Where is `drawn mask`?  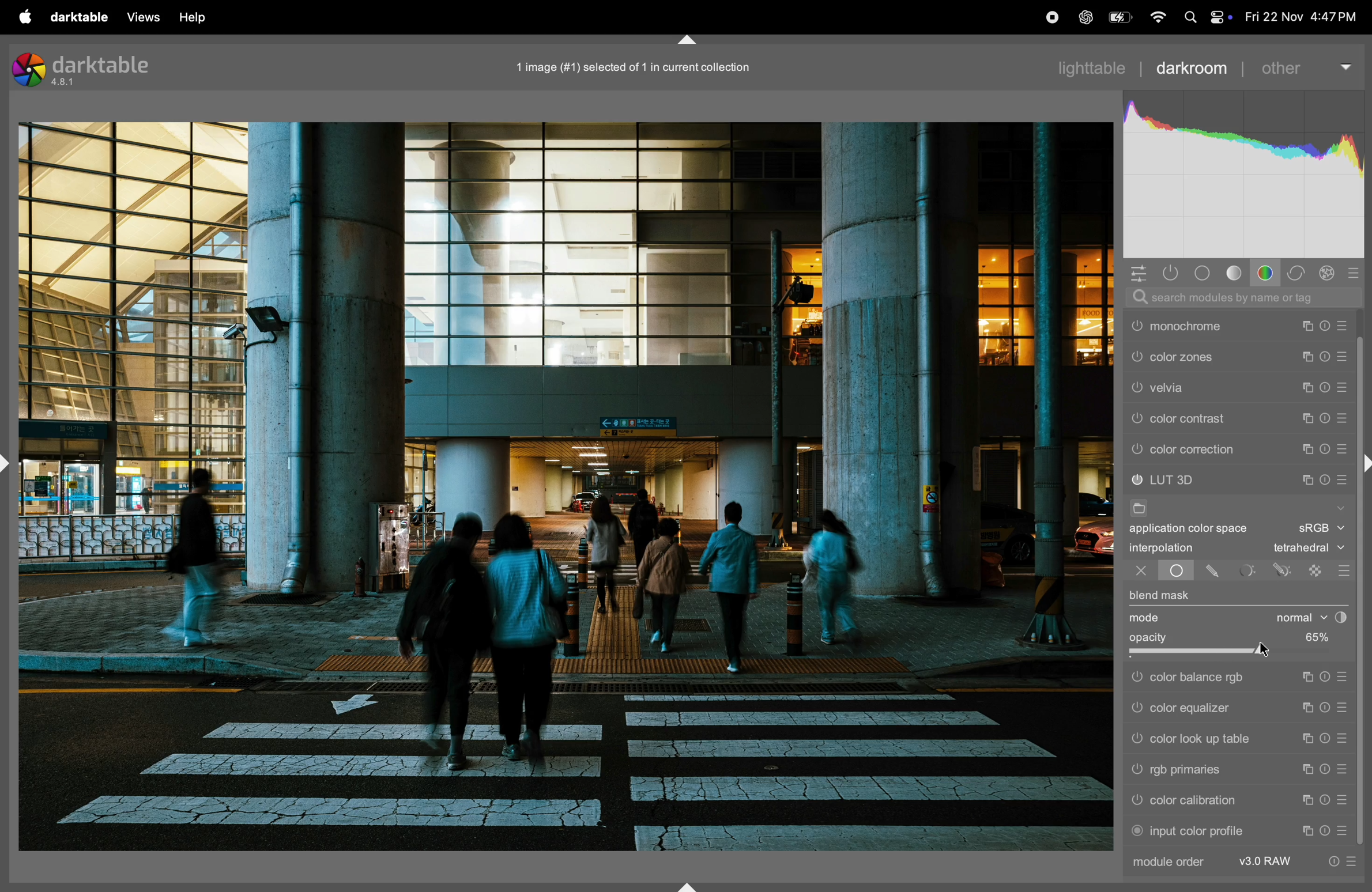
drawn mask is located at coordinates (1215, 573).